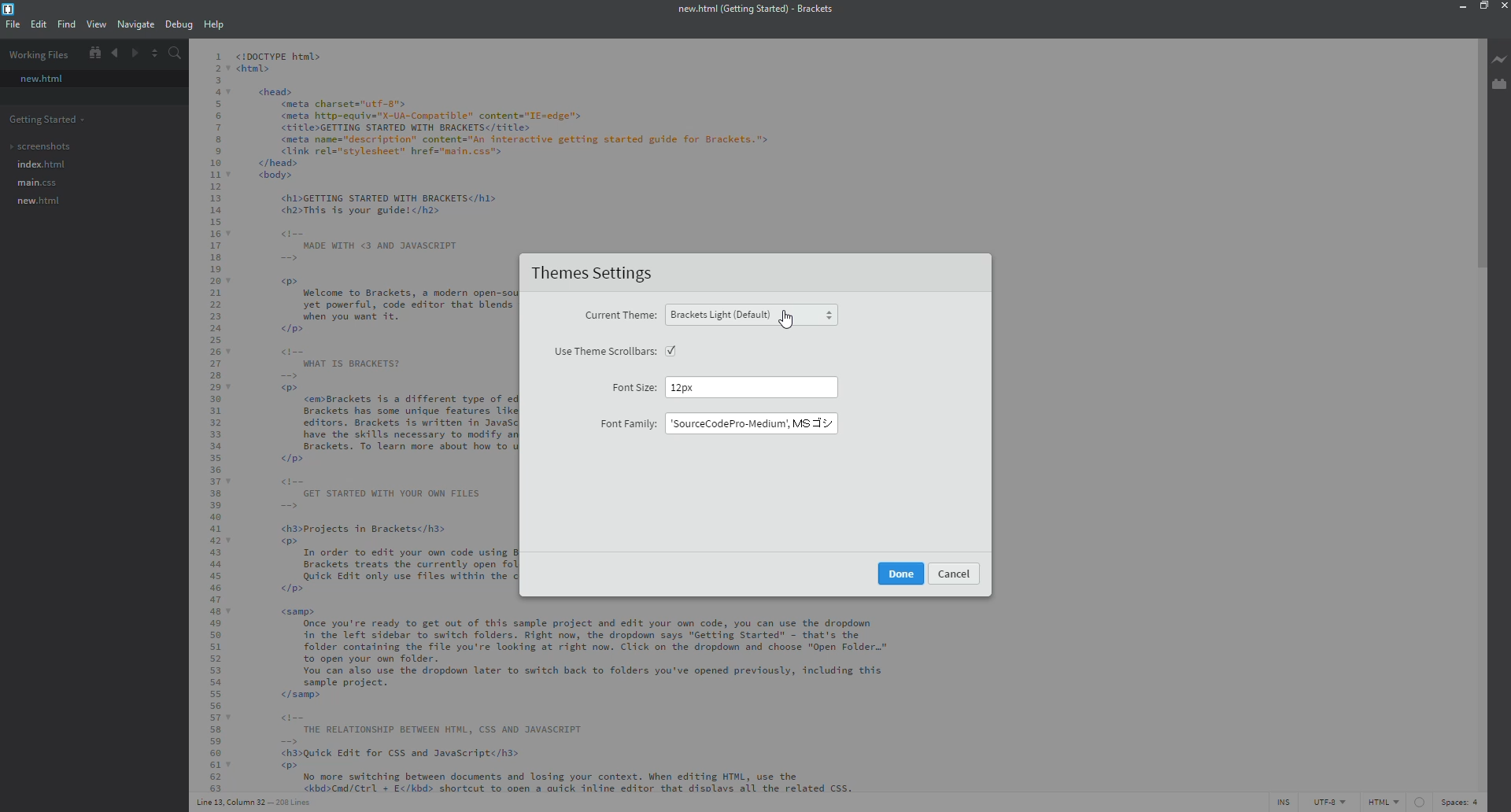 The width and height of the screenshot is (1511, 812). Describe the element at coordinates (173, 54) in the screenshot. I see `search` at that location.